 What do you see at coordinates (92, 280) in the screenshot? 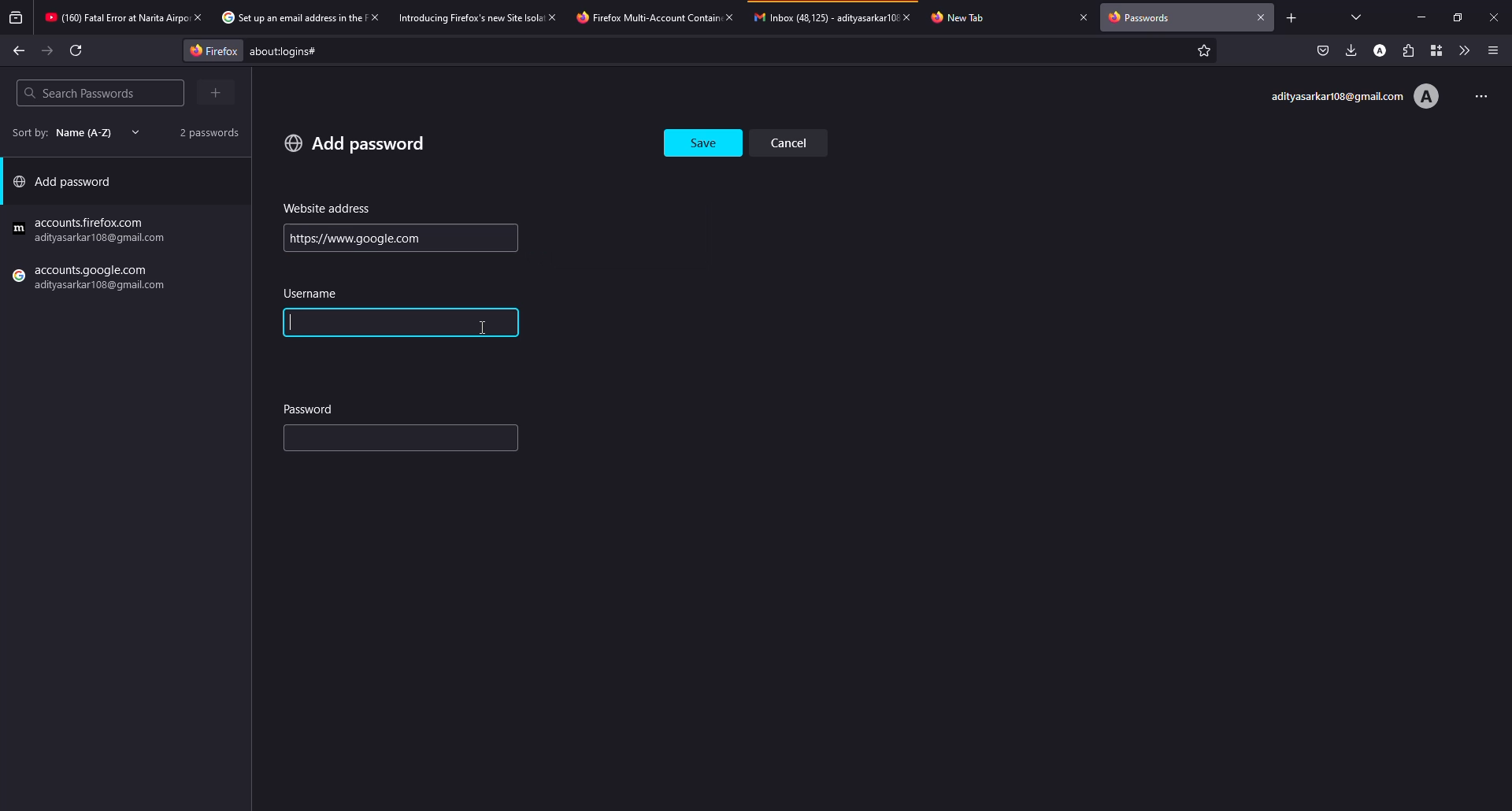
I see `firefox` at bounding box center [92, 280].